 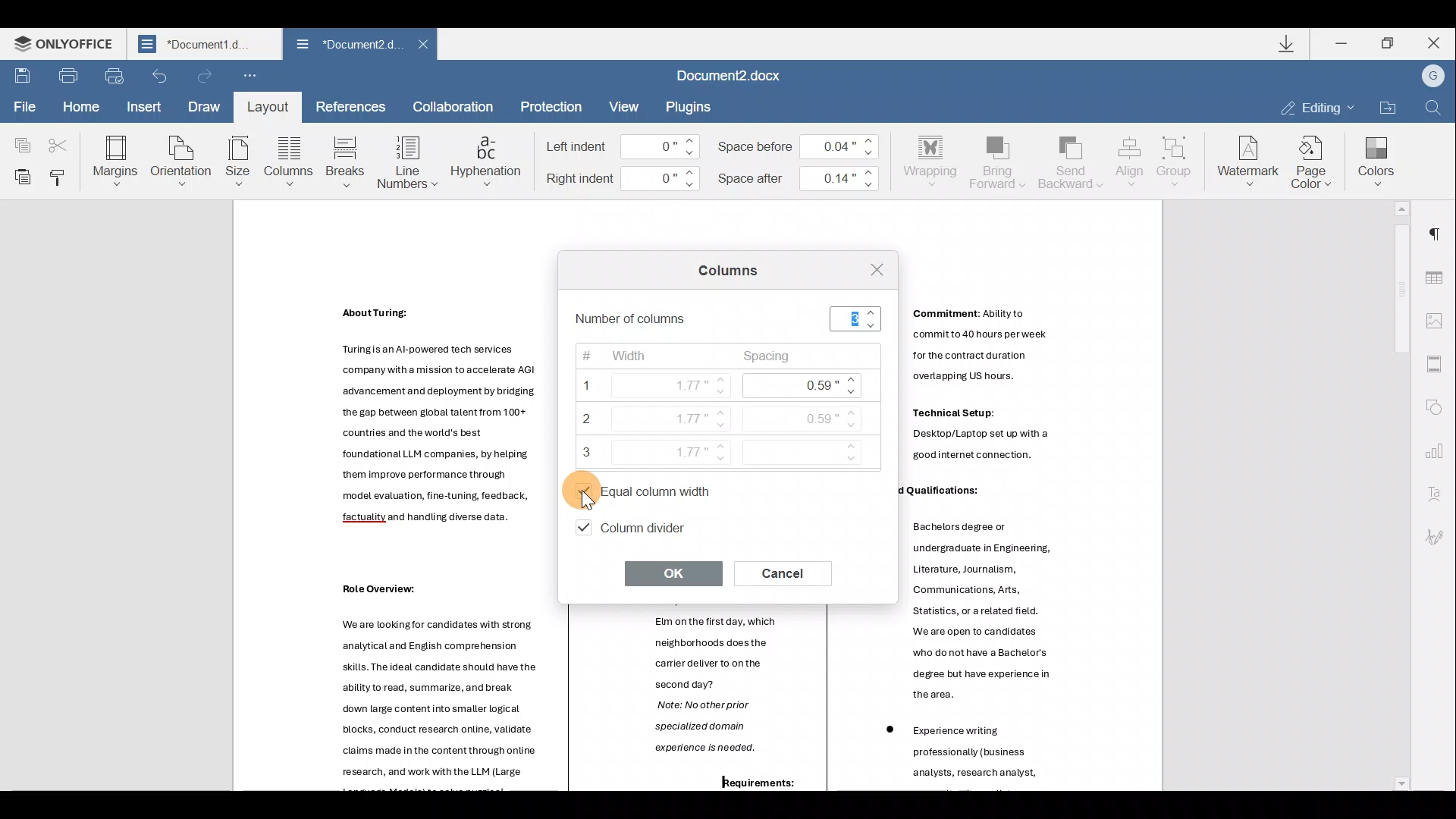 What do you see at coordinates (1389, 42) in the screenshot?
I see `Maximize` at bounding box center [1389, 42].